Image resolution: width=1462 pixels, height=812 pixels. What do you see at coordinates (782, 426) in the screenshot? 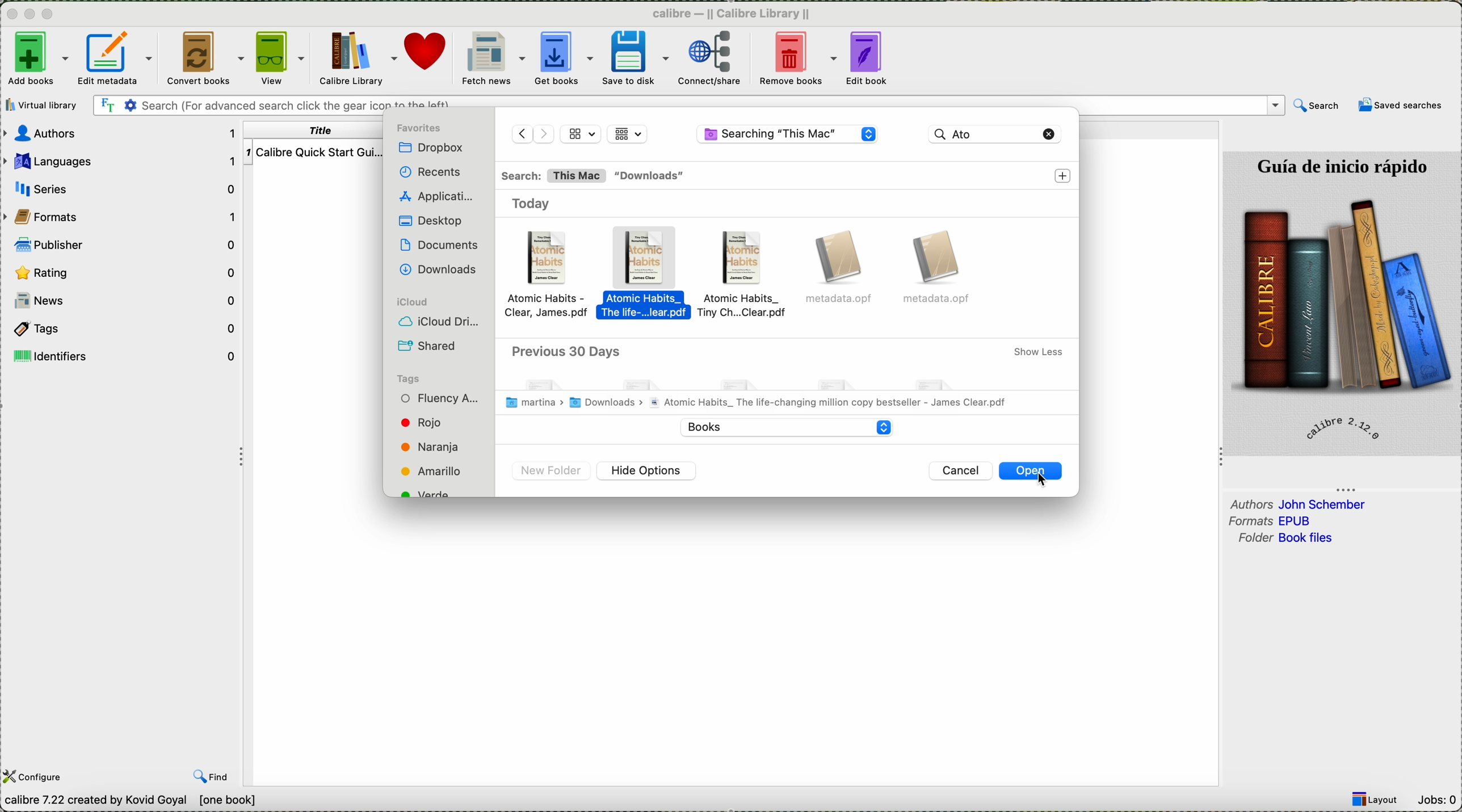
I see `books` at bounding box center [782, 426].